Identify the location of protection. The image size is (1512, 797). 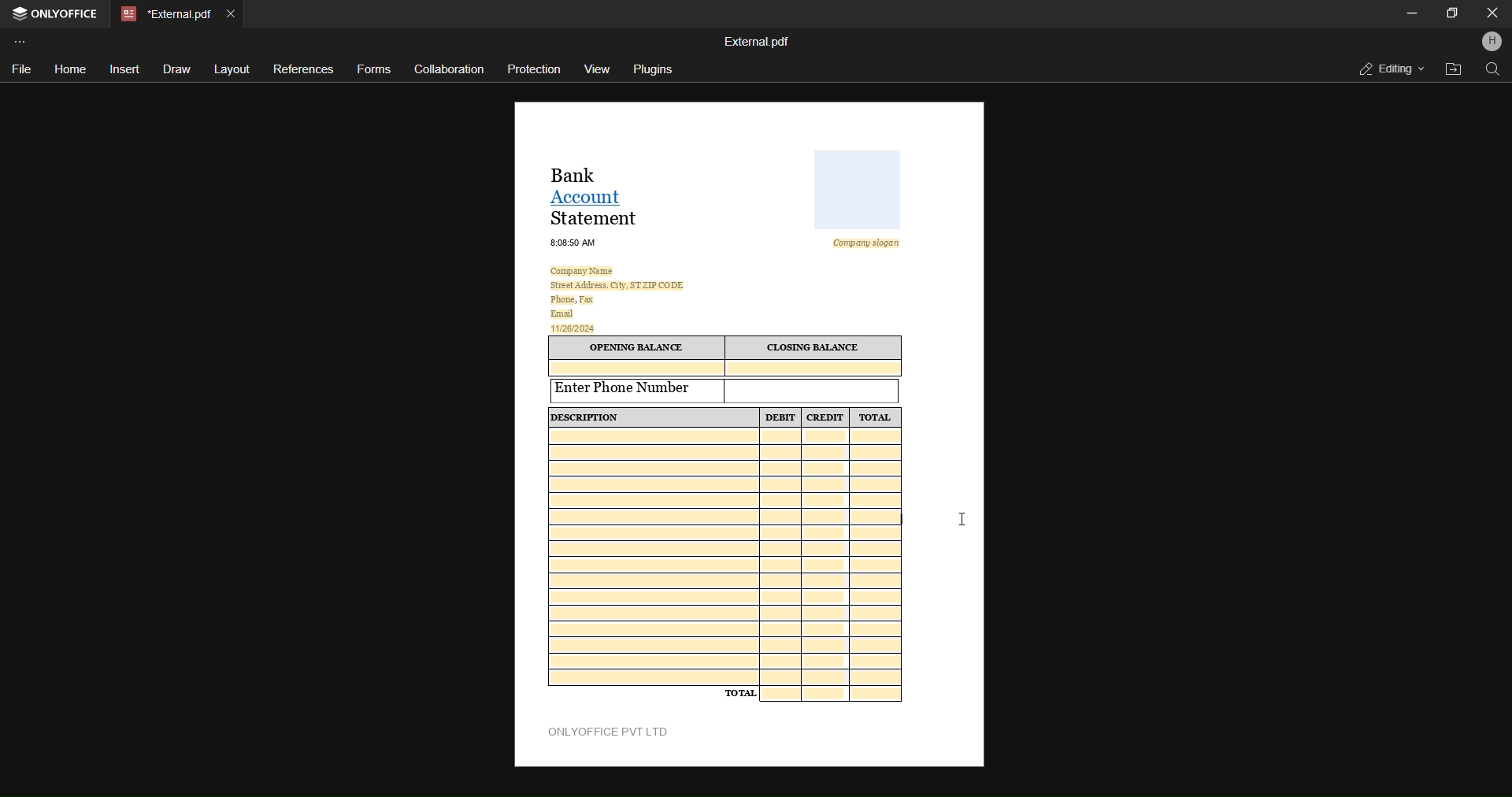
(535, 69).